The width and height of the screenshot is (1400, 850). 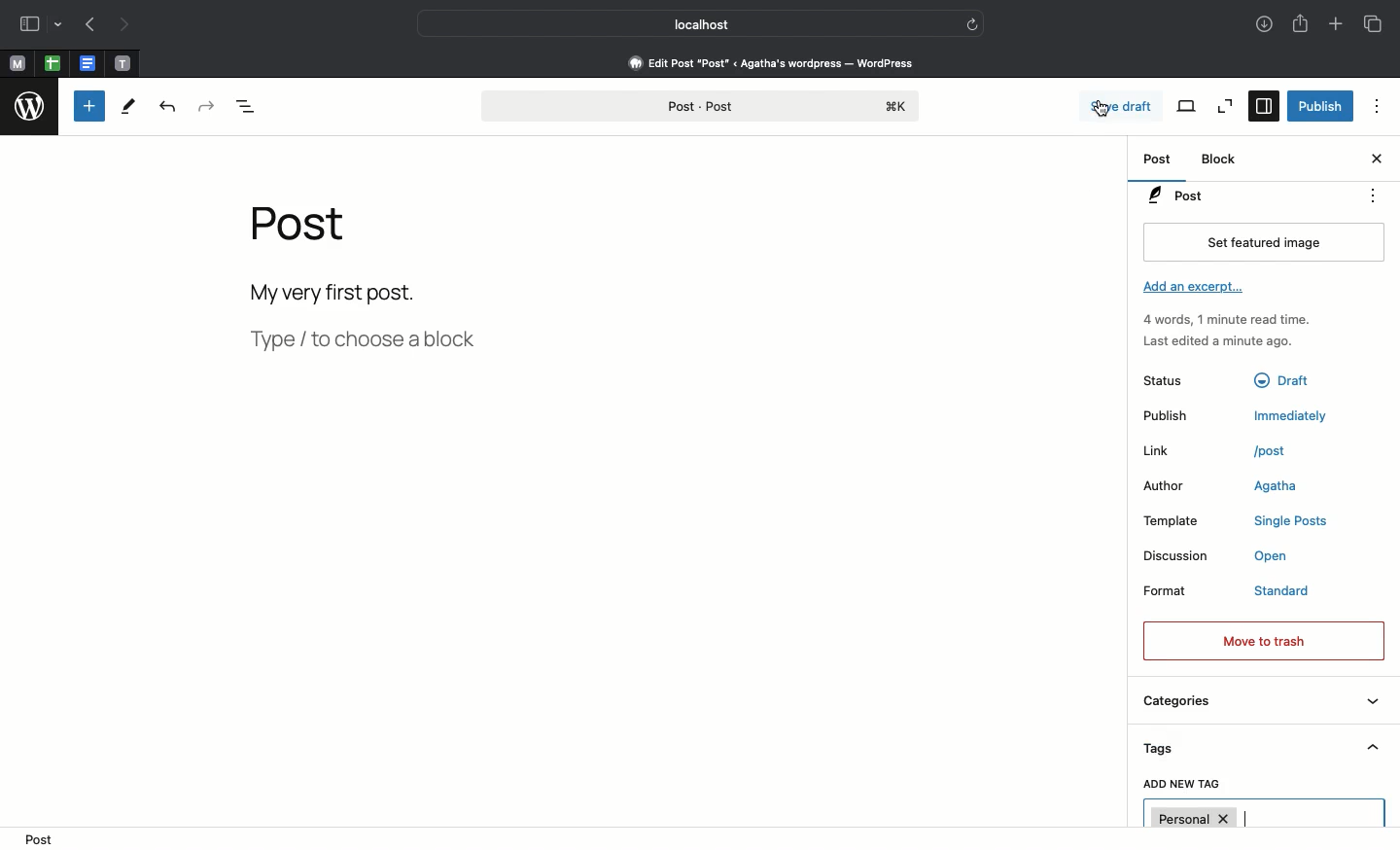 What do you see at coordinates (165, 106) in the screenshot?
I see `Undo` at bounding box center [165, 106].